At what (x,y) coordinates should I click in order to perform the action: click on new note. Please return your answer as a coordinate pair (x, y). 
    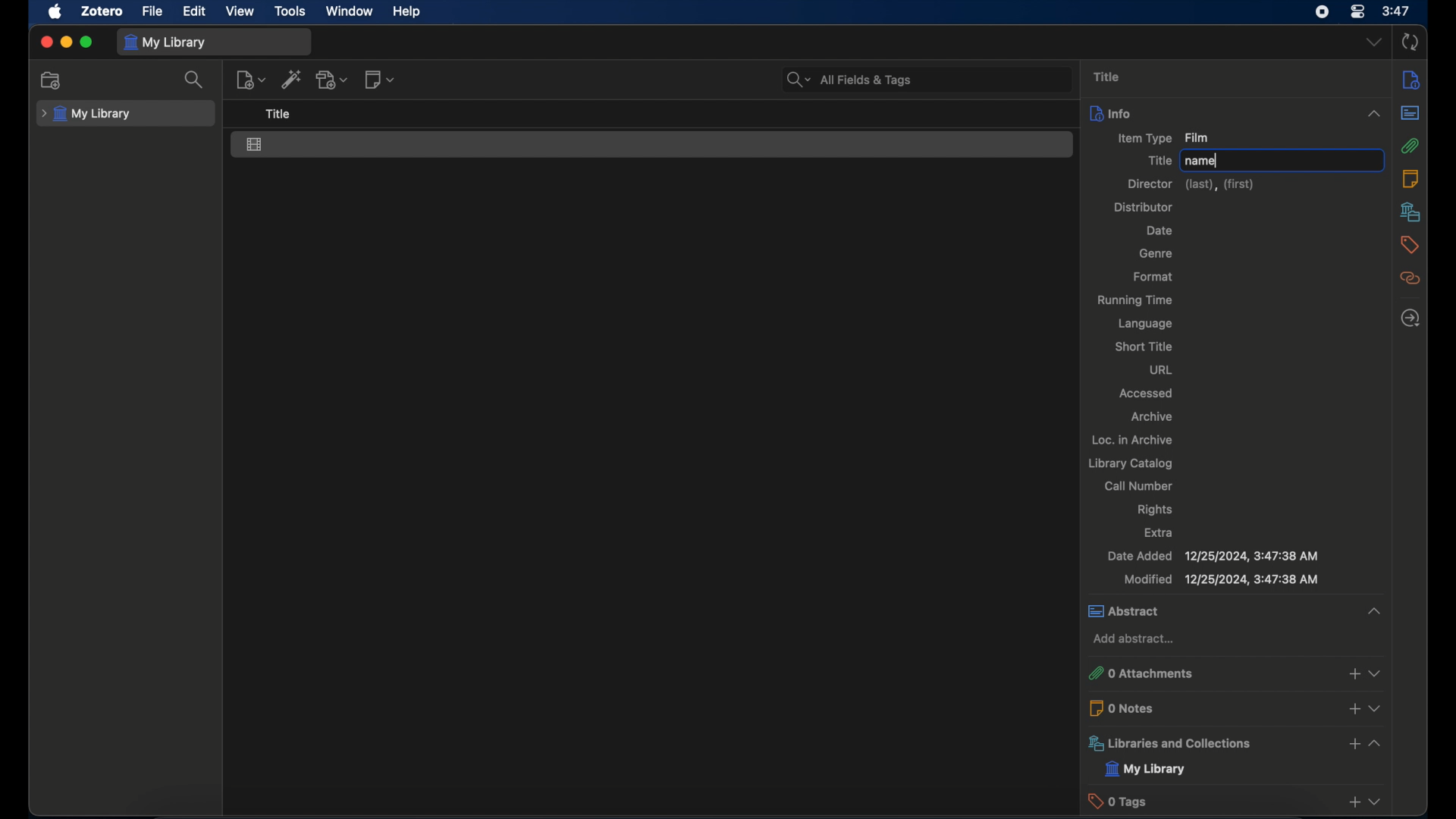
    Looking at the image, I should click on (381, 80).